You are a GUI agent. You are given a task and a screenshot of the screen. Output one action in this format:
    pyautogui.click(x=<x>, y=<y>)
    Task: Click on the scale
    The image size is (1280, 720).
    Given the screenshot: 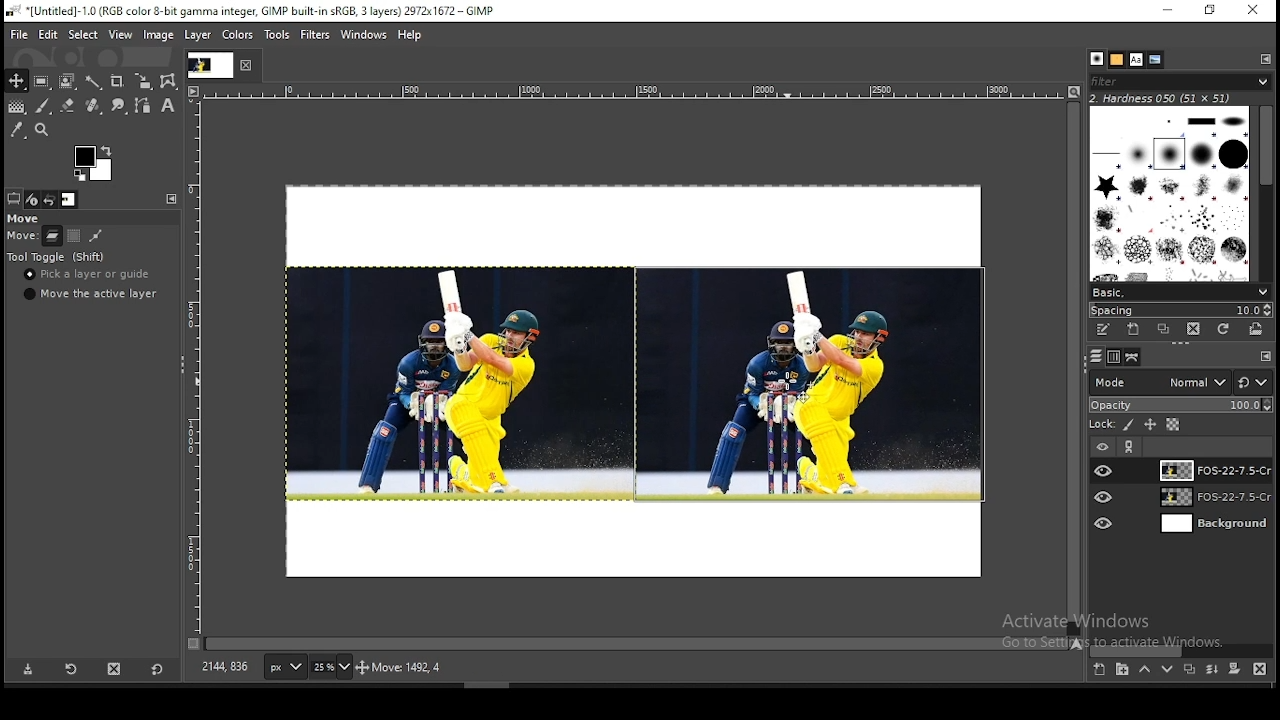 What is the action you would take?
    pyautogui.click(x=196, y=366)
    